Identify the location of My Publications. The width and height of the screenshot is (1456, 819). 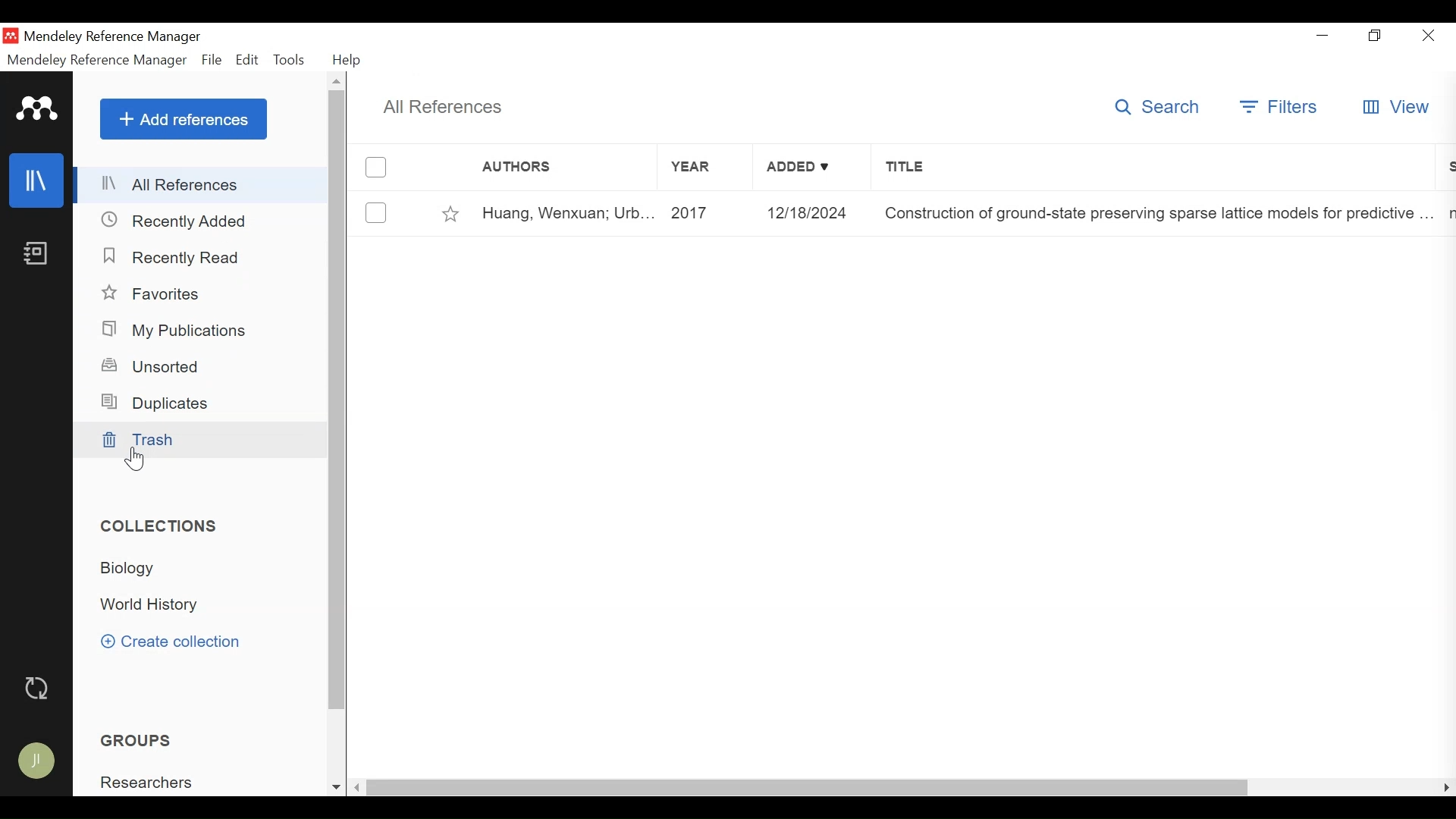
(180, 331).